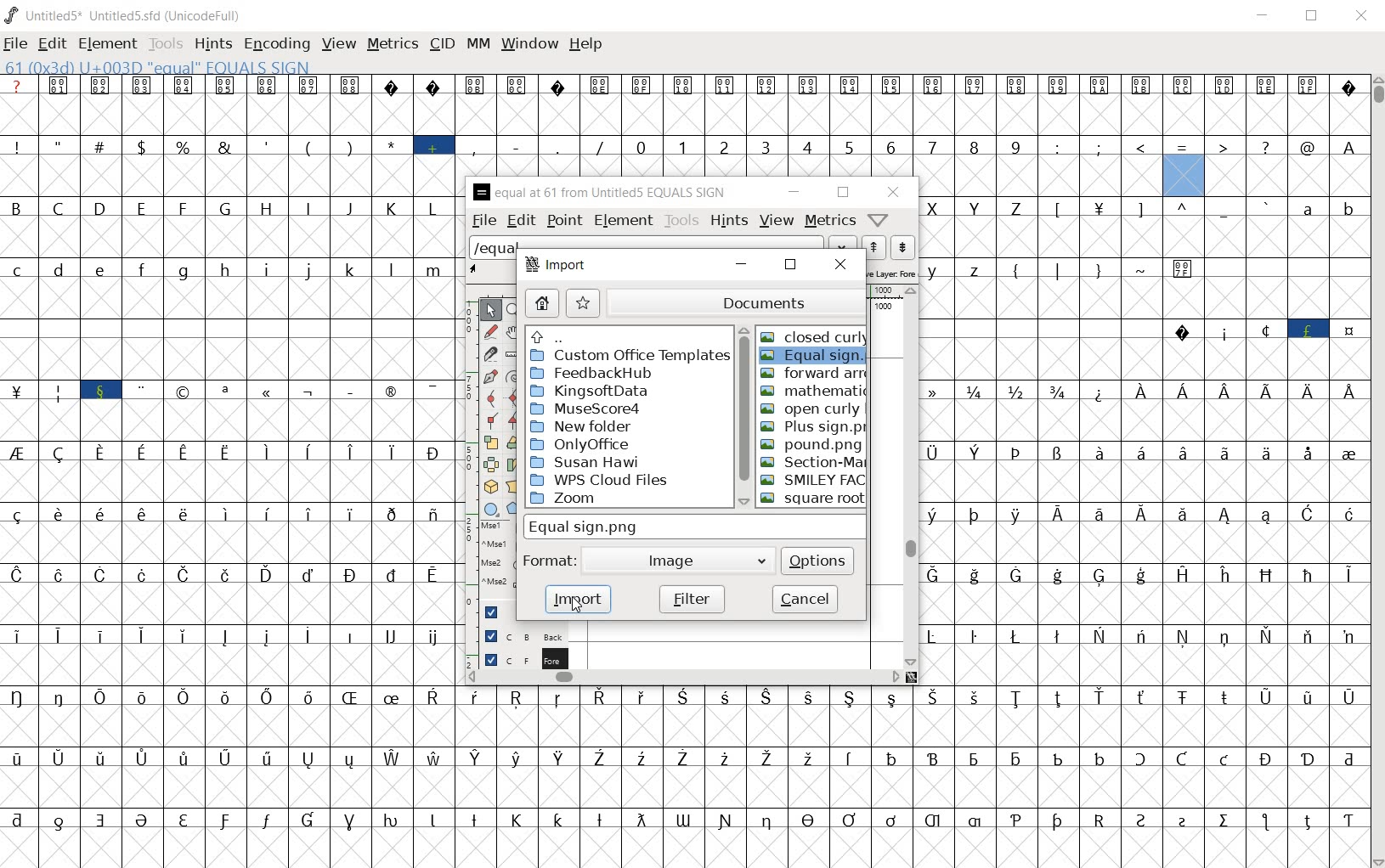  I want to click on Add a corner point, so click(514, 420).